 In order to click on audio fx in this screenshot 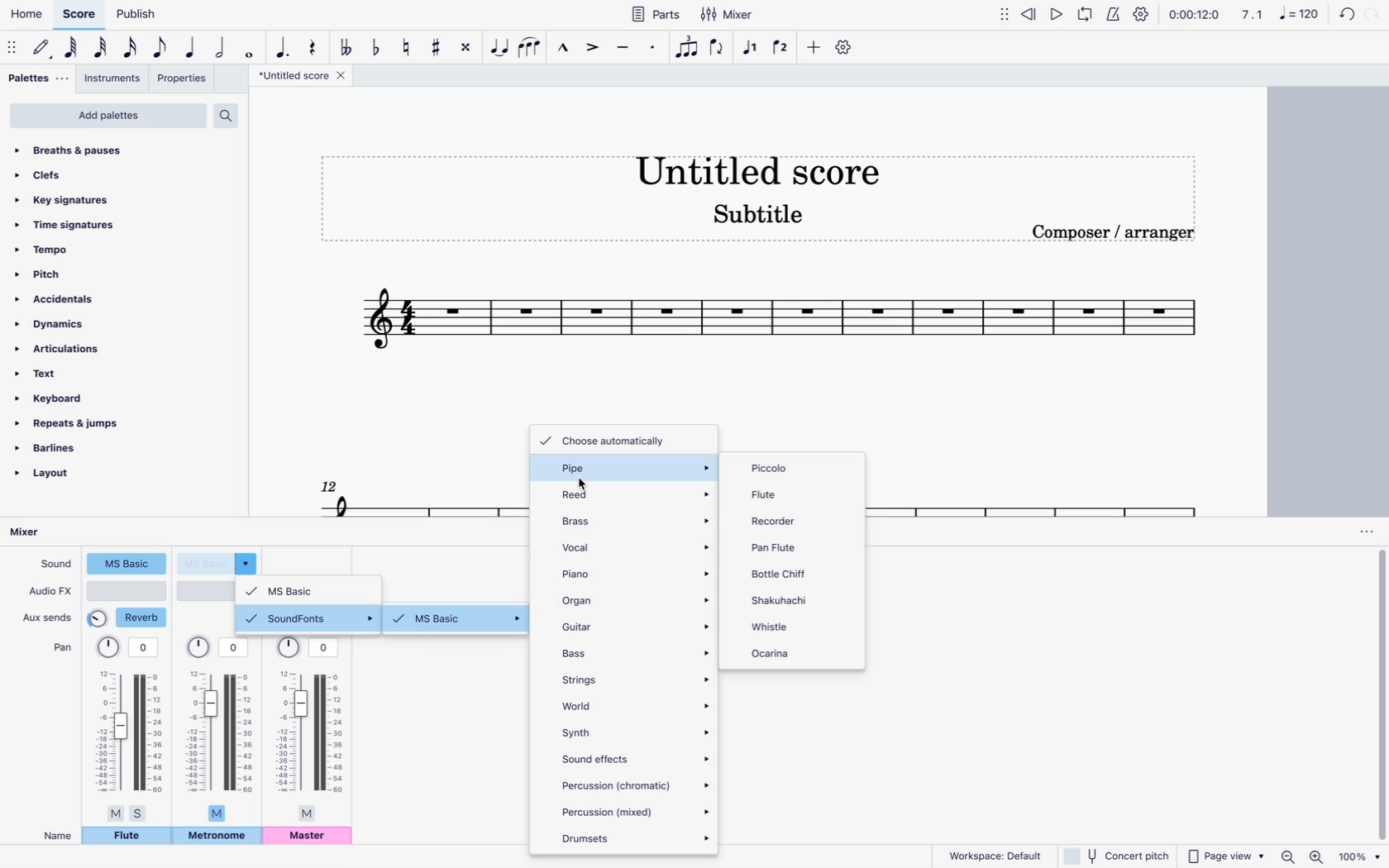, I will do `click(50, 593)`.